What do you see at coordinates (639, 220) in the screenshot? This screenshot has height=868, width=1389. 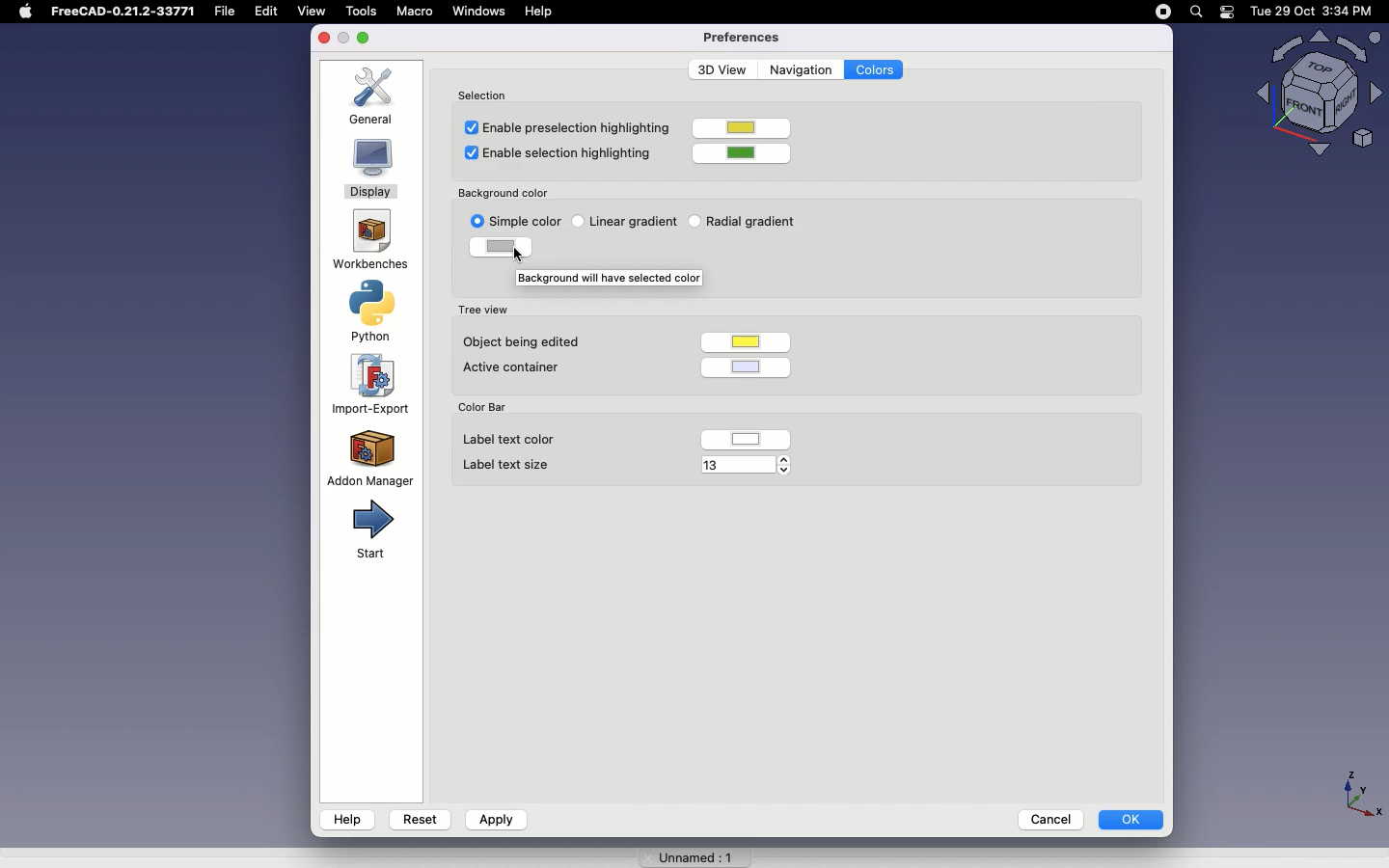 I see `Linear gradient` at bounding box center [639, 220].